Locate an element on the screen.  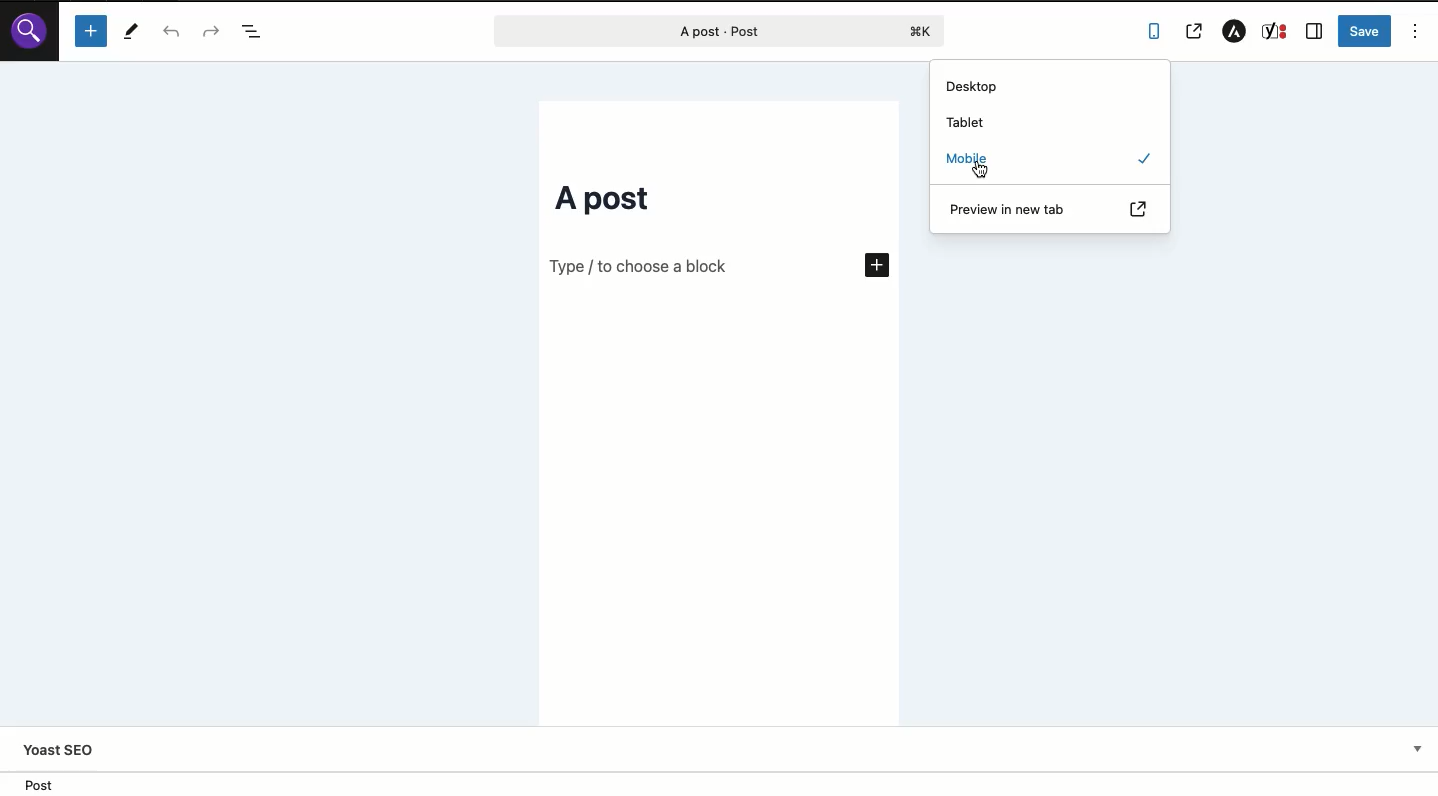
Mobile view is located at coordinates (707, 131).